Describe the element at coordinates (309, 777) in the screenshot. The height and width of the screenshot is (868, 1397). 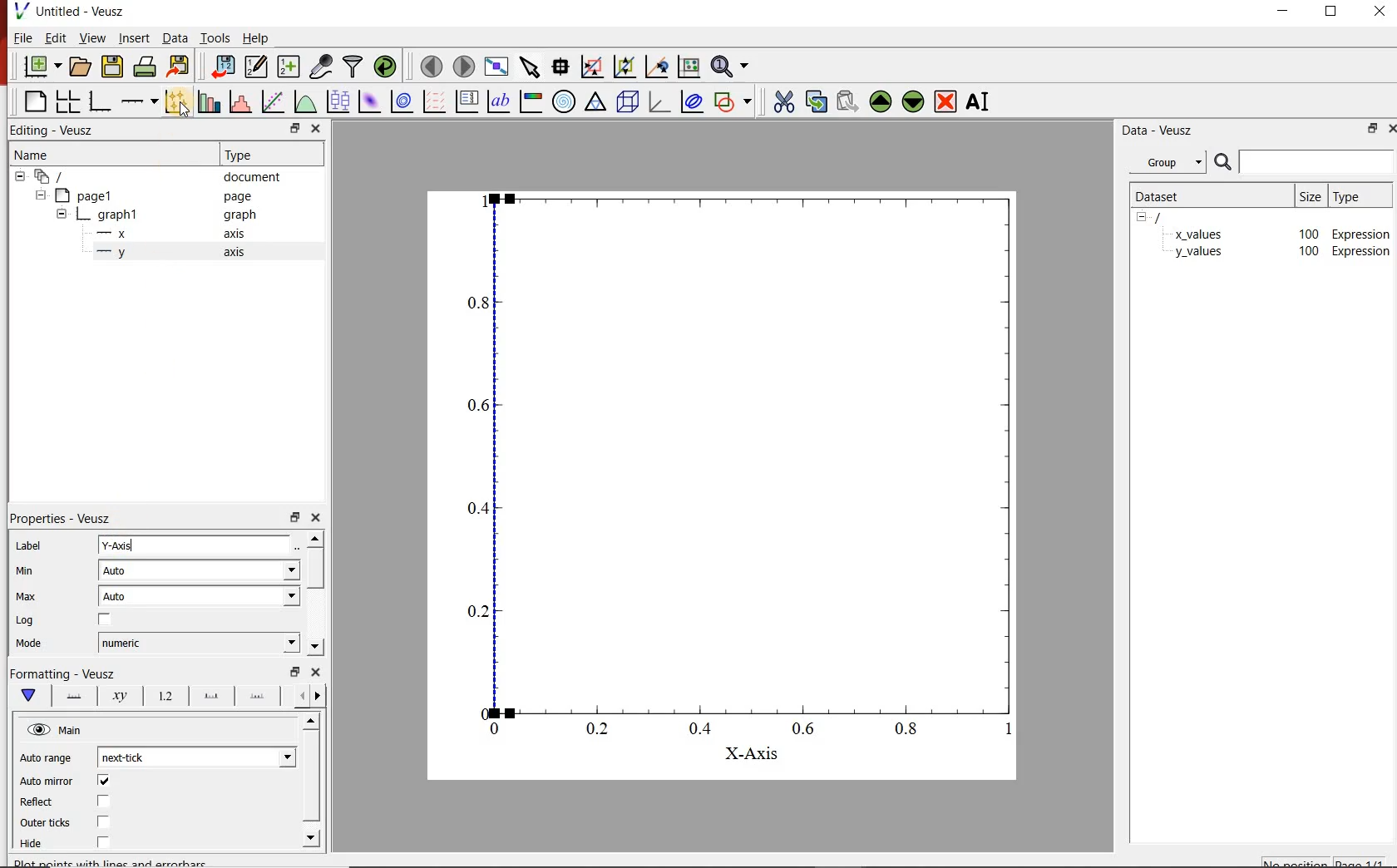
I see `vertical scrollbar` at that location.